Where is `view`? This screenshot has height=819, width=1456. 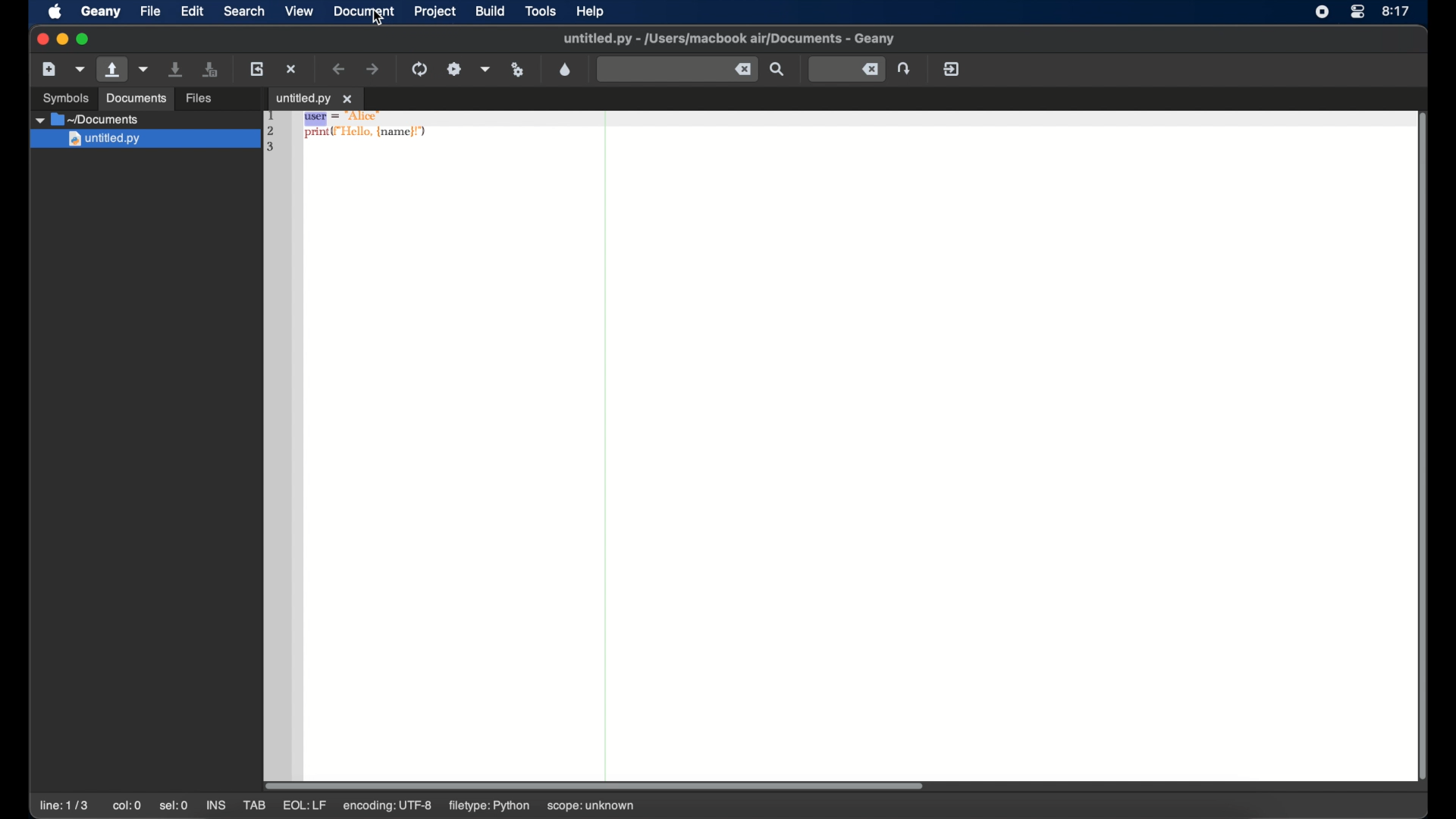
view is located at coordinates (299, 11).